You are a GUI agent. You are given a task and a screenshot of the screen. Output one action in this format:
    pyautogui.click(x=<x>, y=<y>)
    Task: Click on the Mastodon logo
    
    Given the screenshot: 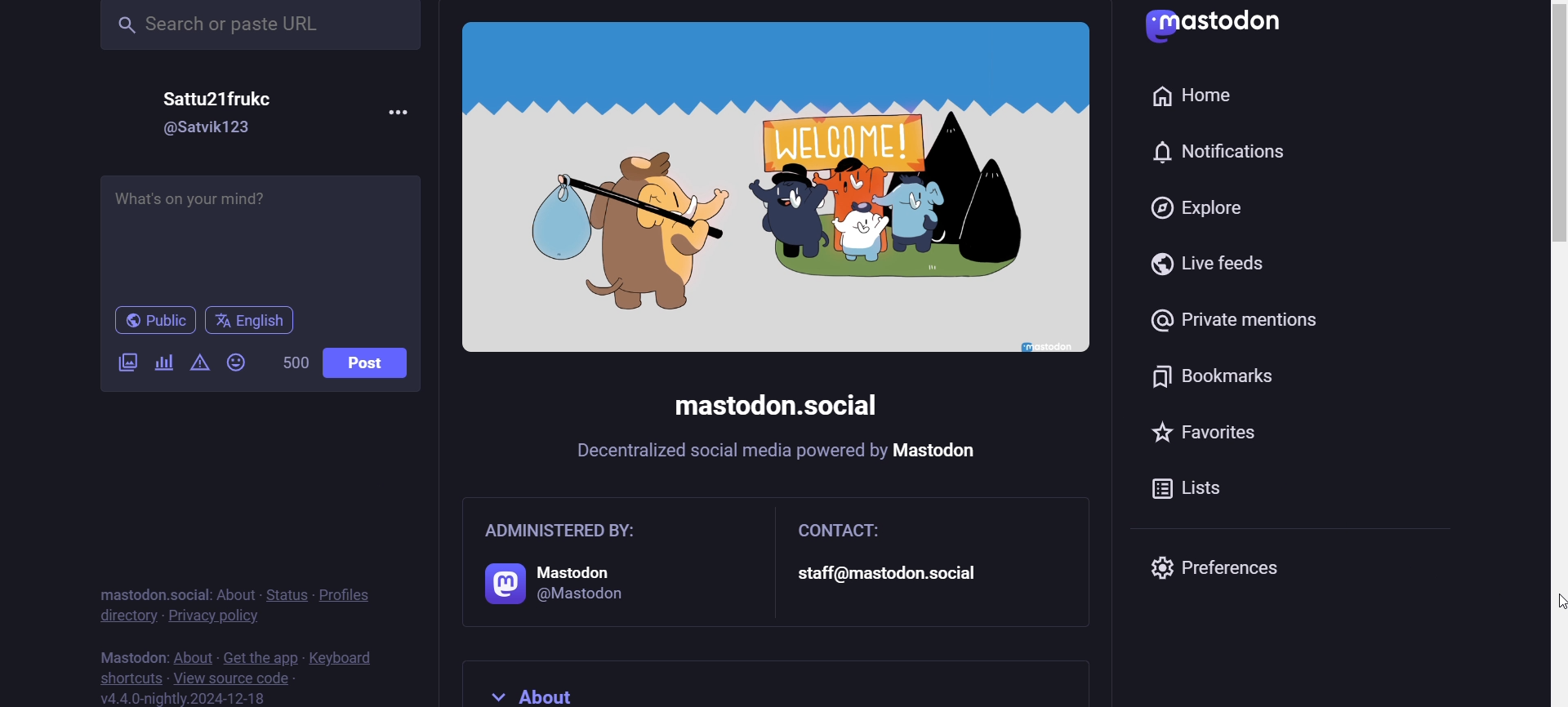 What is the action you would take?
    pyautogui.click(x=1216, y=28)
    